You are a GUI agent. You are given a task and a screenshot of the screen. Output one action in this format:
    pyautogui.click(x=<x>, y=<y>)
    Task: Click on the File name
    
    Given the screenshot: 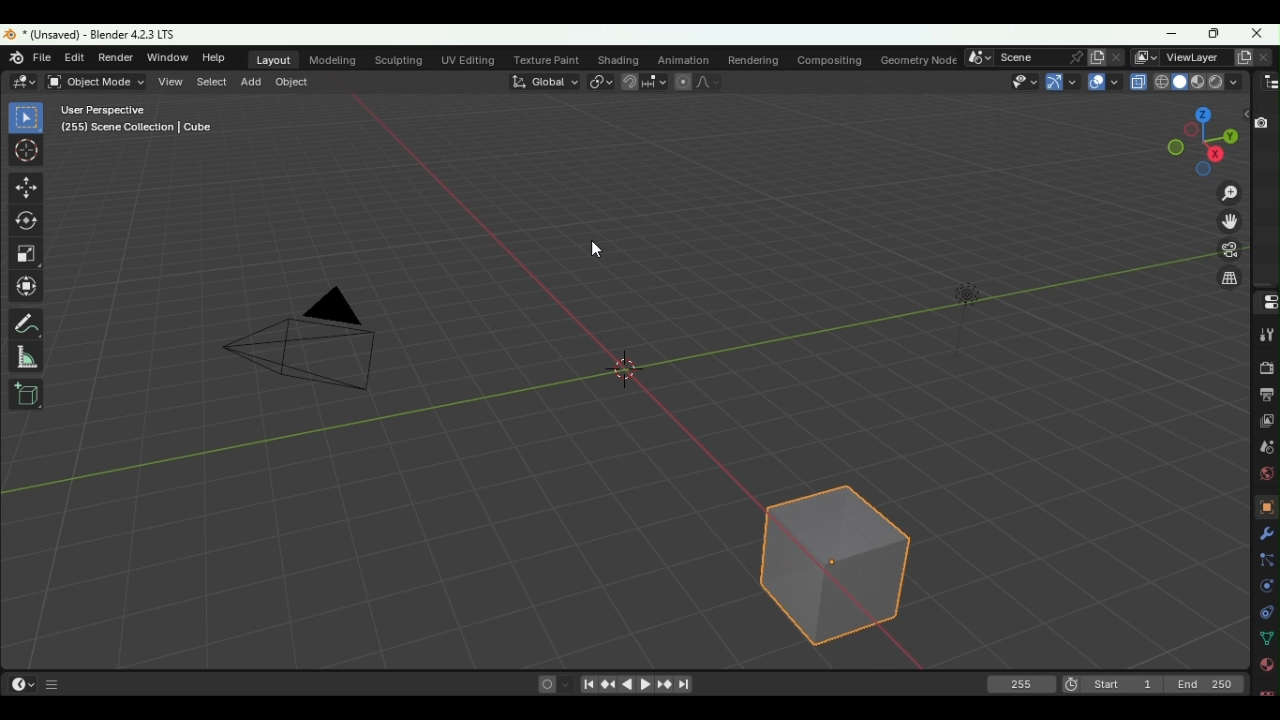 What is the action you would take?
    pyautogui.click(x=103, y=34)
    